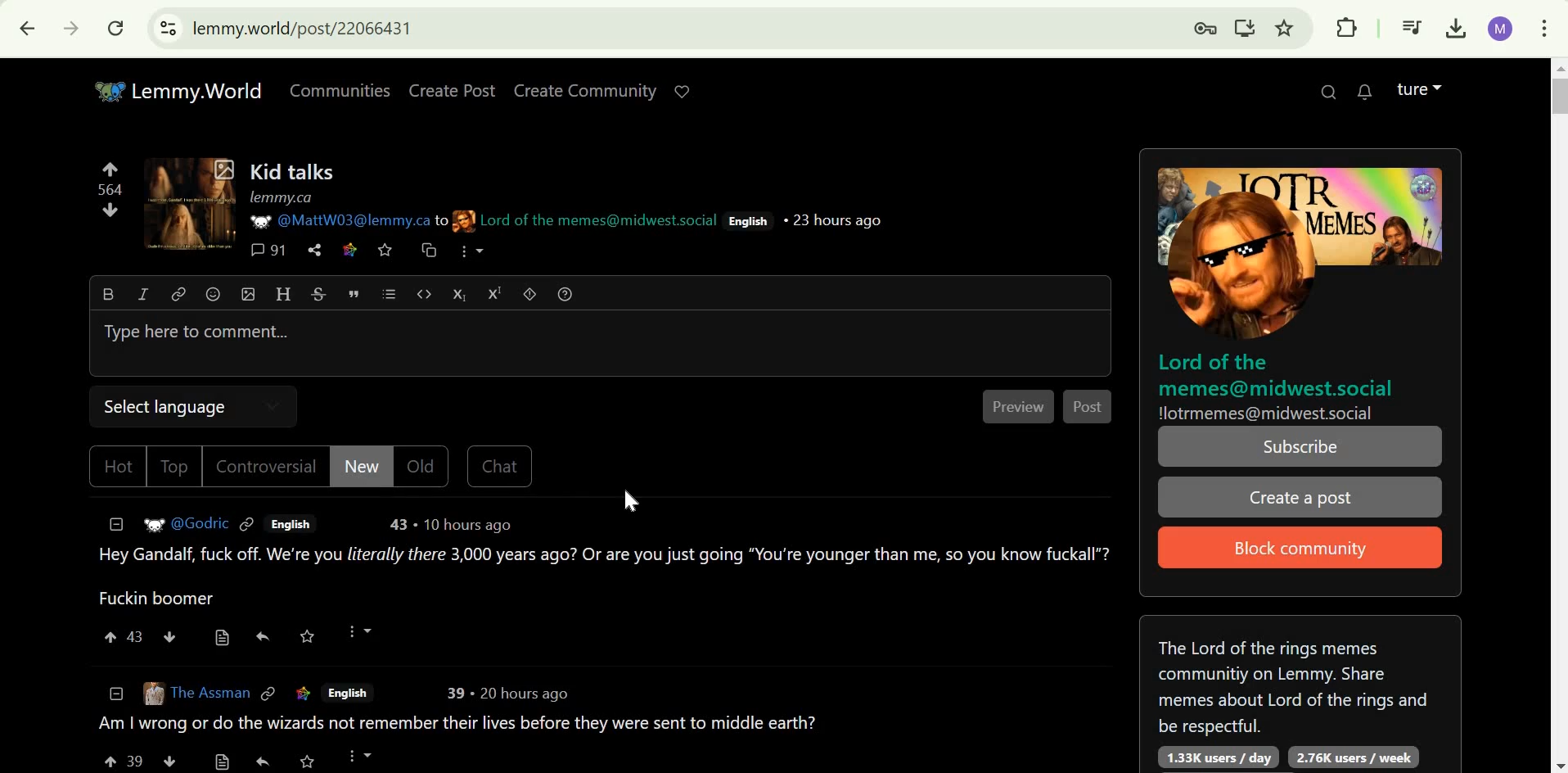 This screenshot has height=773, width=1568. Describe the element at coordinates (198, 332) in the screenshot. I see `Type here to comment...` at that location.